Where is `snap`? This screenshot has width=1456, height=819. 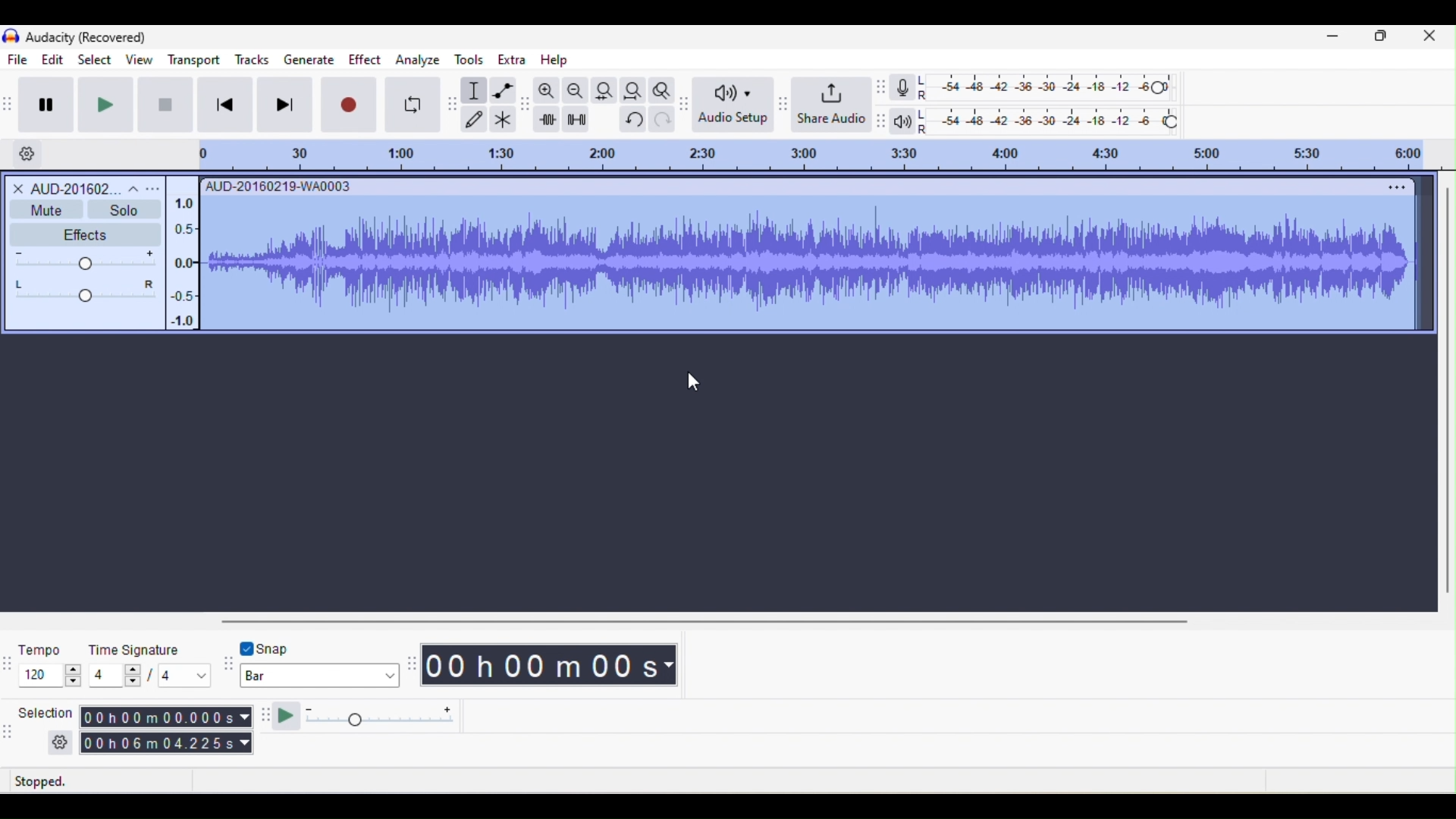
snap is located at coordinates (292, 647).